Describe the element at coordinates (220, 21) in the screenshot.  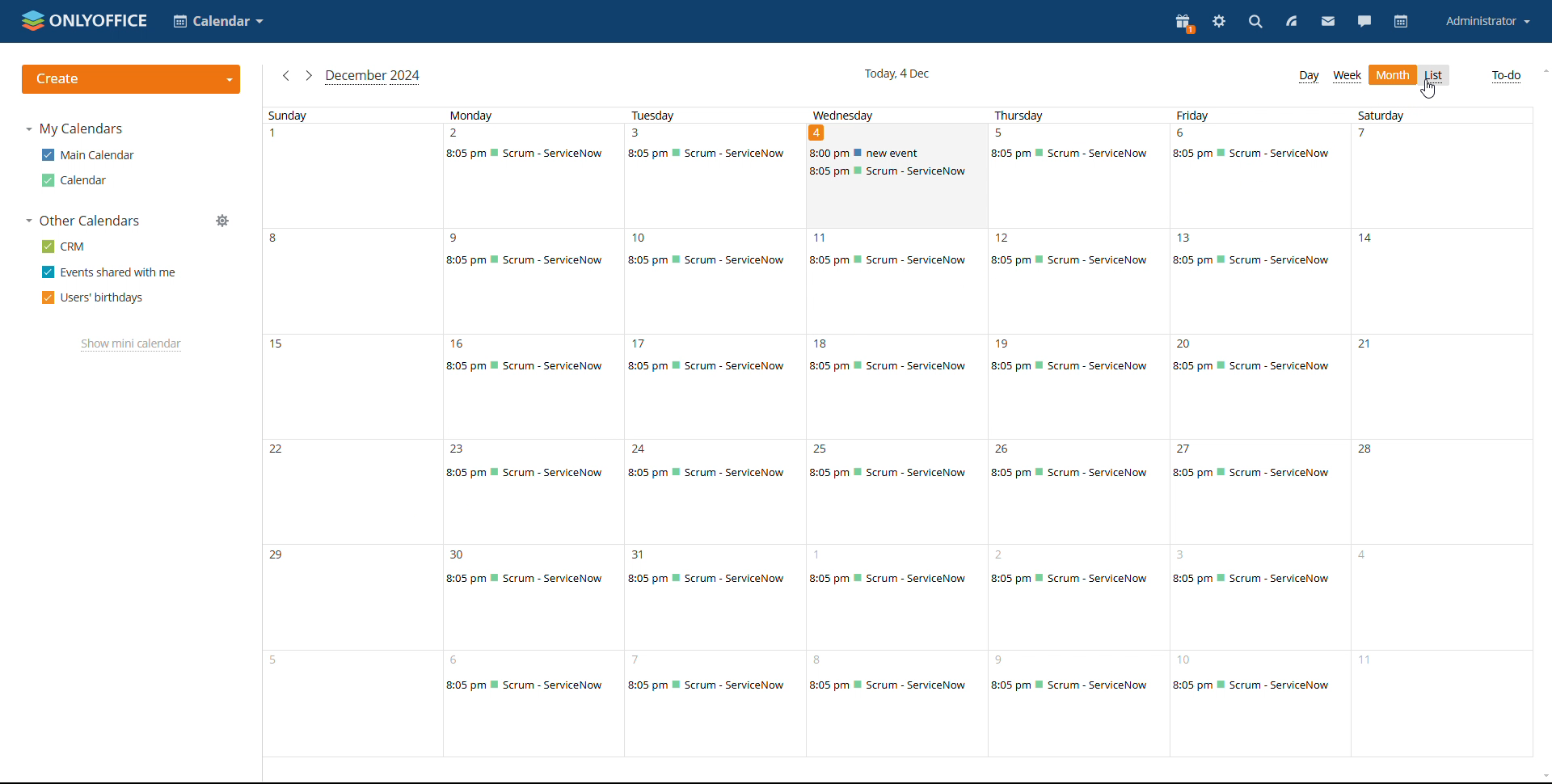
I see `select application` at that location.